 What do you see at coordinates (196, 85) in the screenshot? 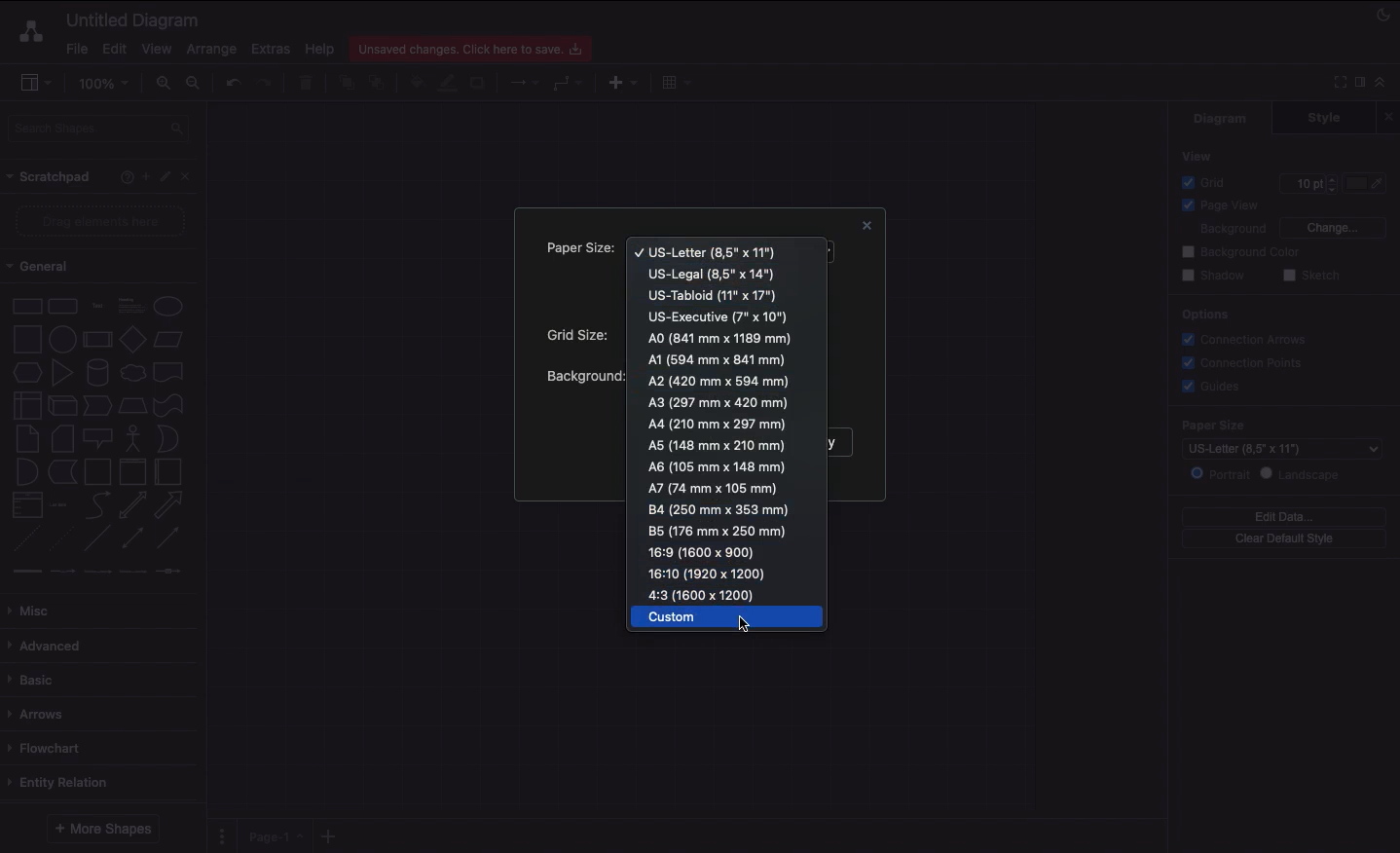
I see `Zoom out` at bounding box center [196, 85].